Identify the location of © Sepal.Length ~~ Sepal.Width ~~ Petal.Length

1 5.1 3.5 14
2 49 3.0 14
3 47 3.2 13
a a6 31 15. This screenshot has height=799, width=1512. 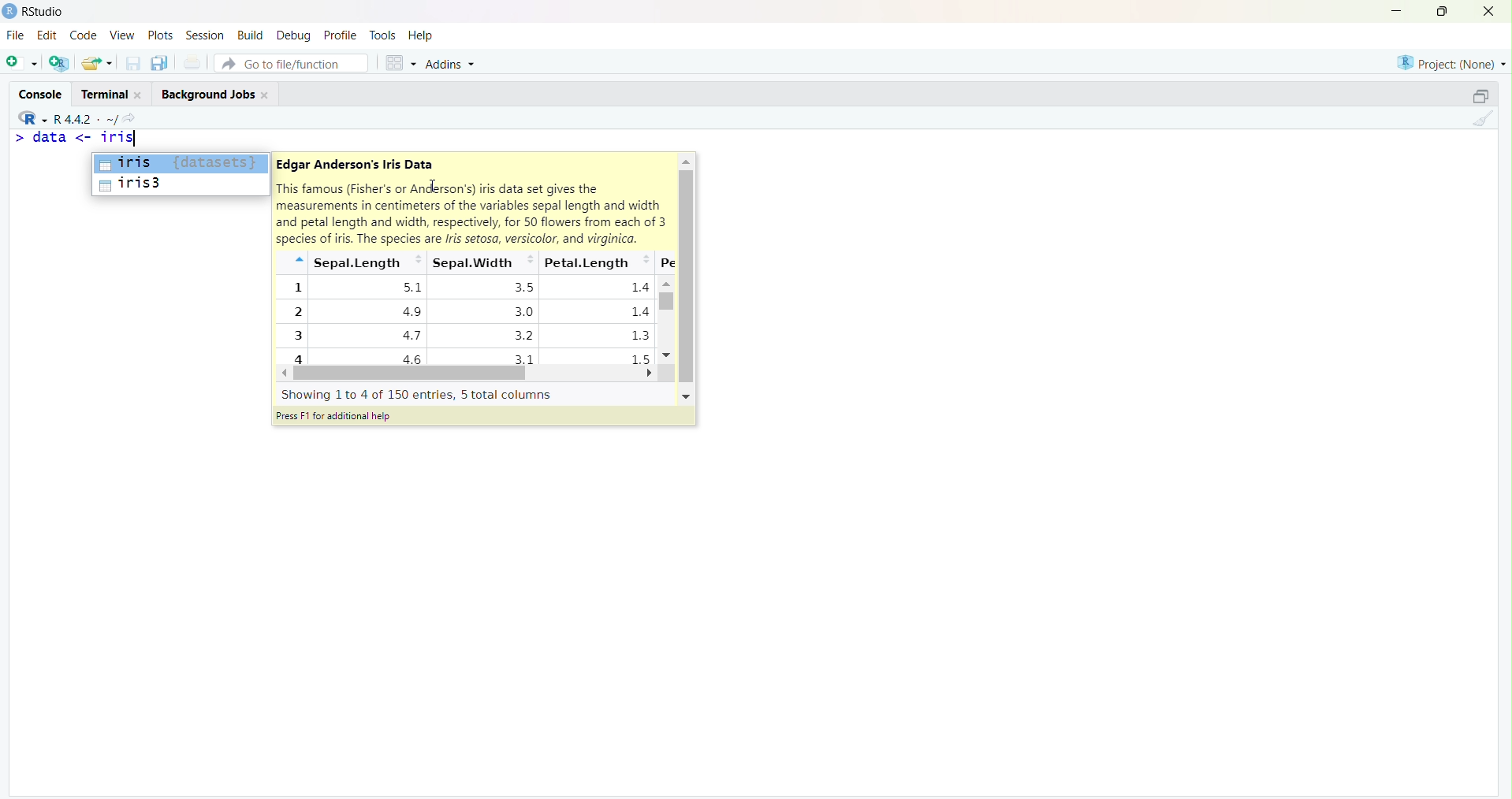
(464, 308).